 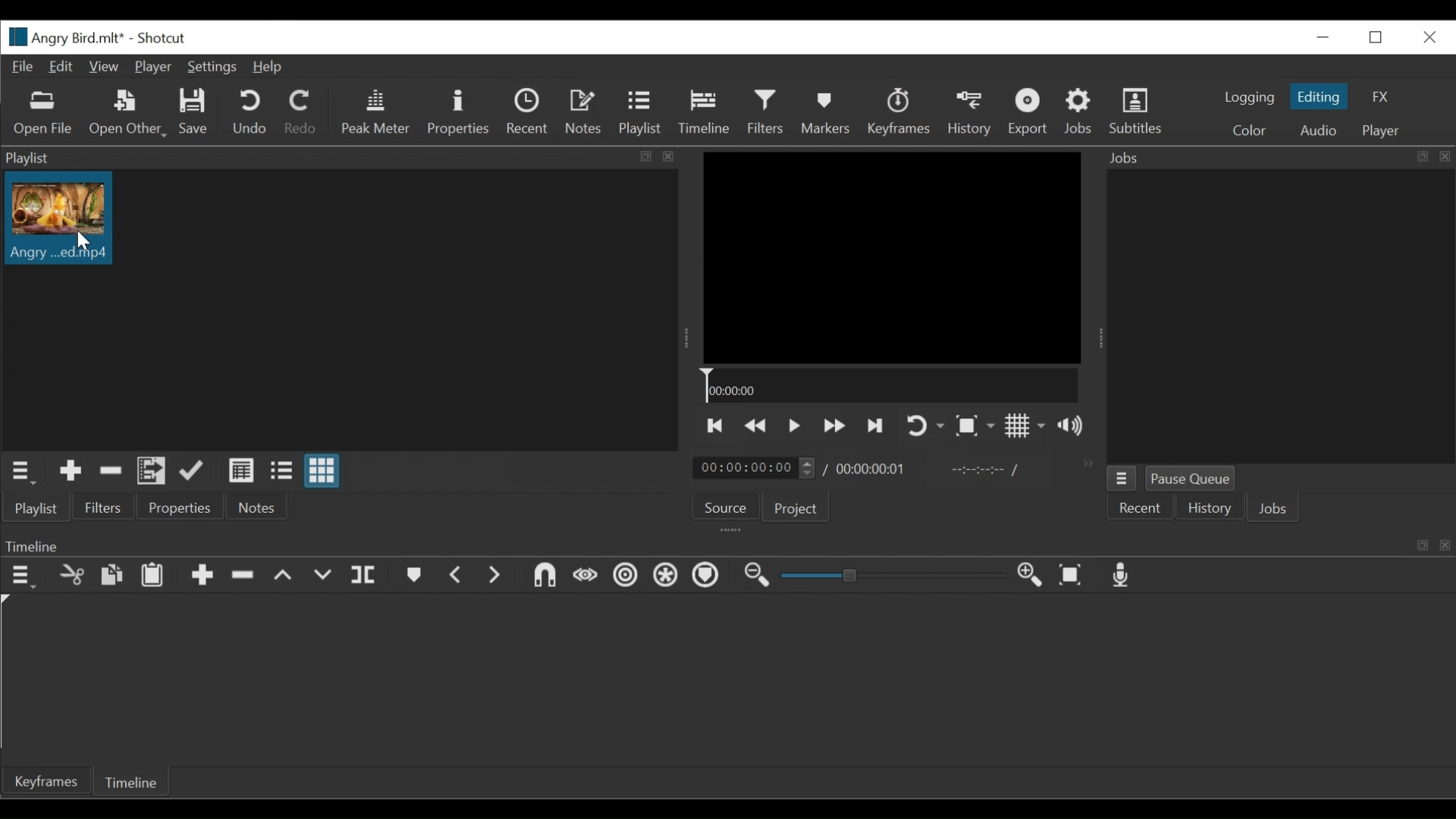 What do you see at coordinates (130, 784) in the screenshot?
I see `Timelie` at bounding box center [130, 784].